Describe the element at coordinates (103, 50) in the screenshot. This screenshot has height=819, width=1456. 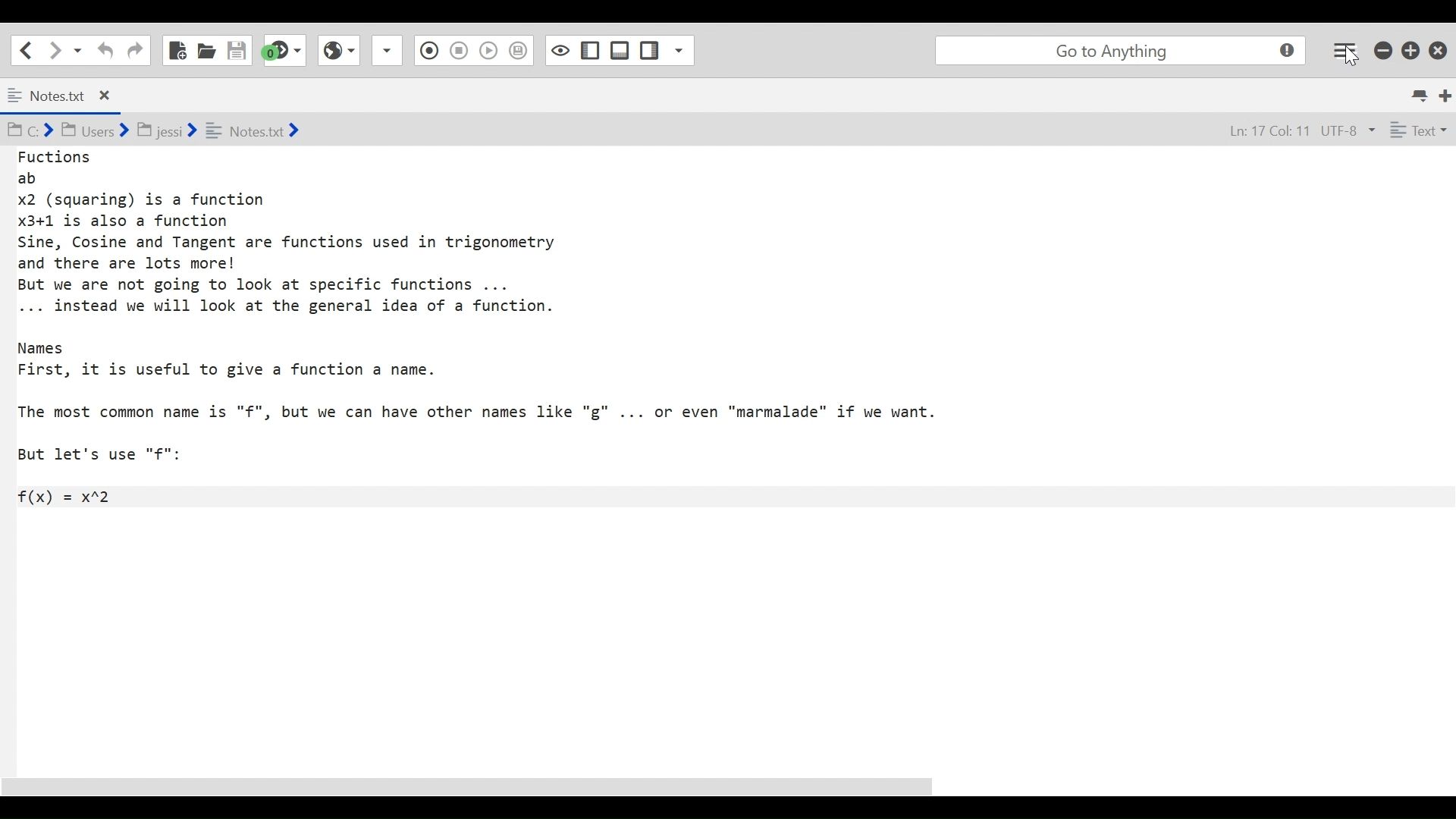
I see `Undo` at that location.